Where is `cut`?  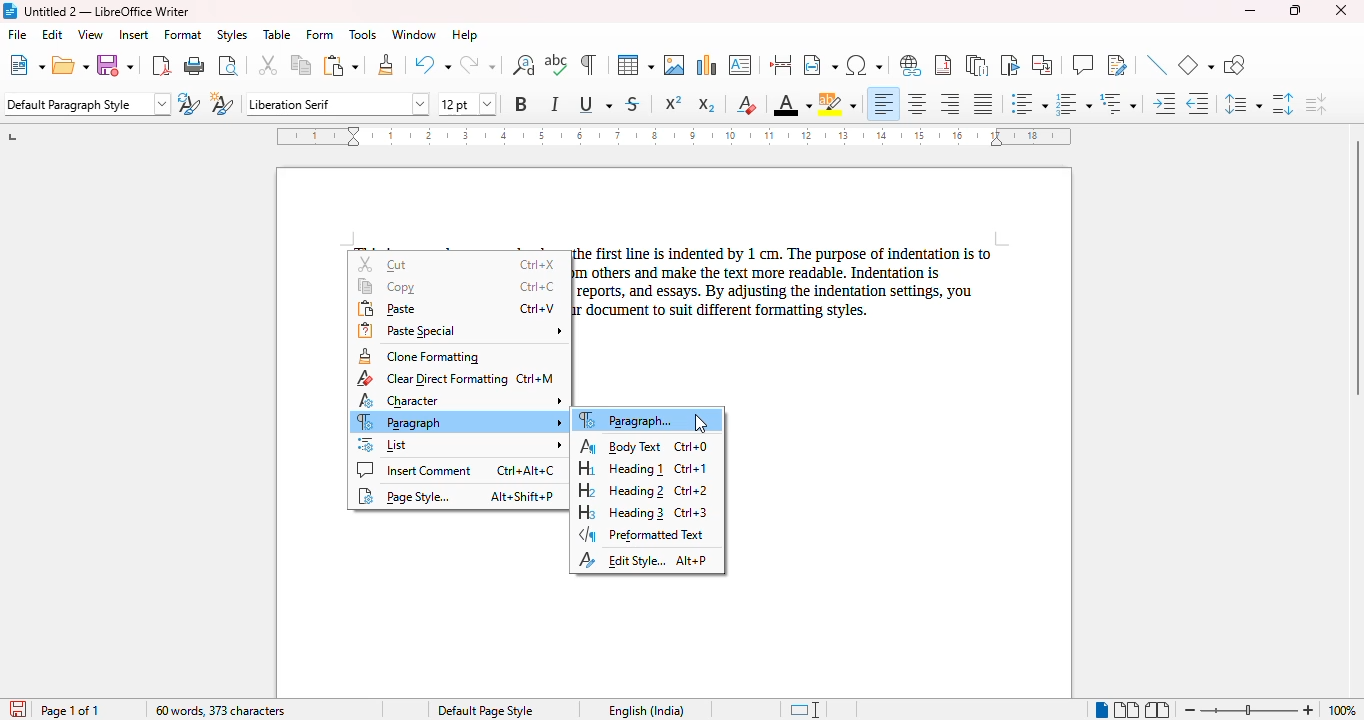 cut is located at coordinates (459, 264).